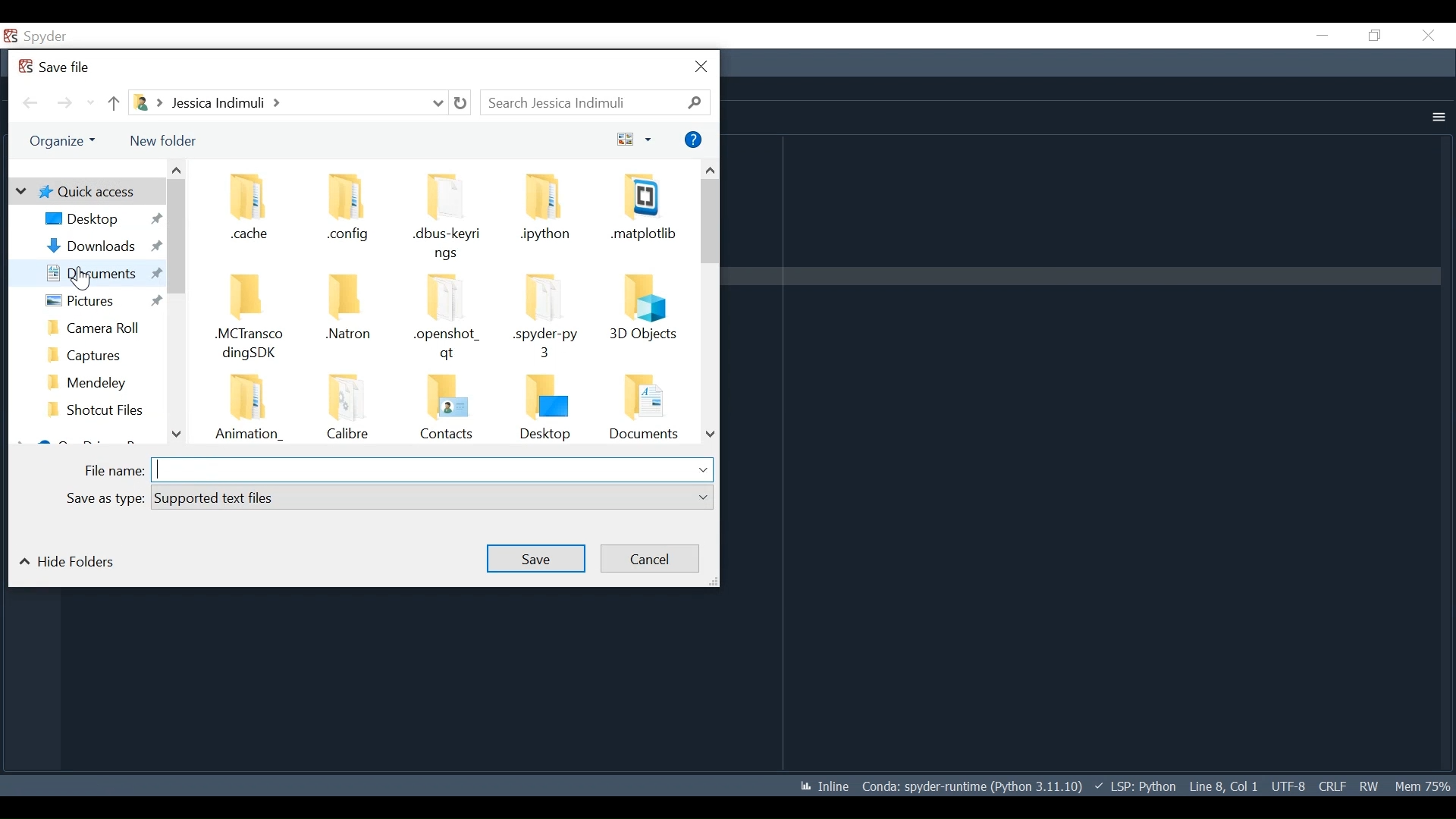 The height and width of the screenshot is (819, 1456). What do you see at coordinates (1131, 786) in the screenshot?
I see `Language` at bounding box center [1131, 786].